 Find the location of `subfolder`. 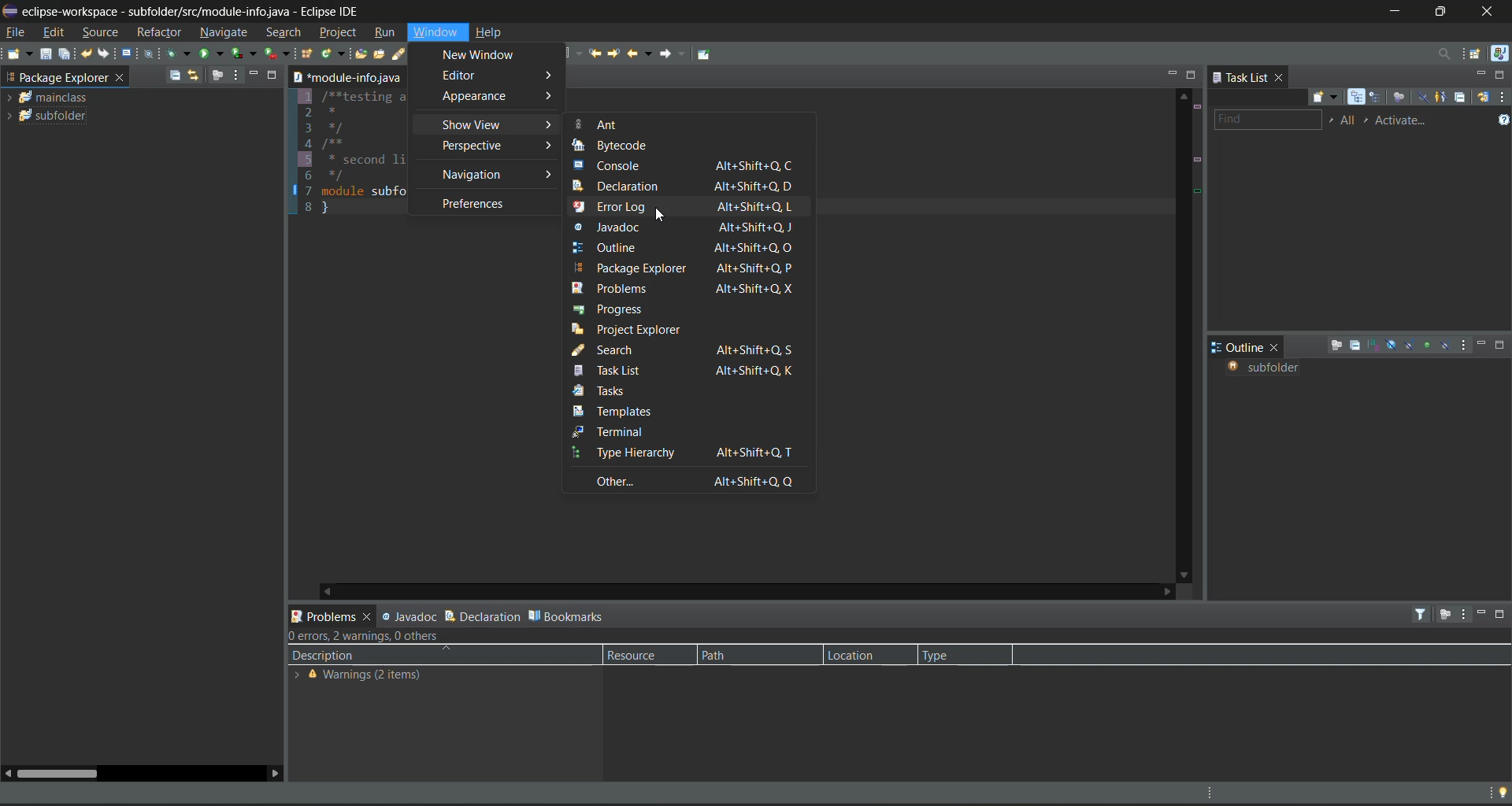

subfolder is located at coordinates (1269, 368).